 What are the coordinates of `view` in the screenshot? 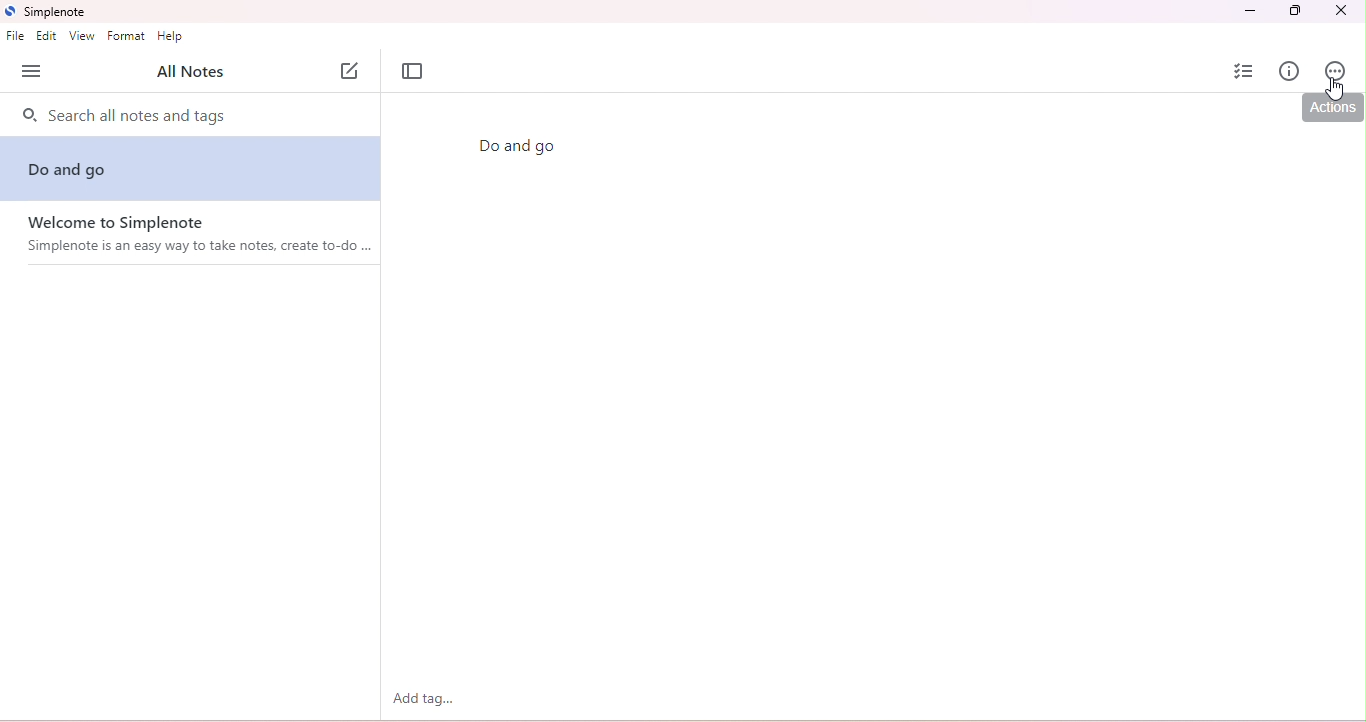 It's located at (82, 36).